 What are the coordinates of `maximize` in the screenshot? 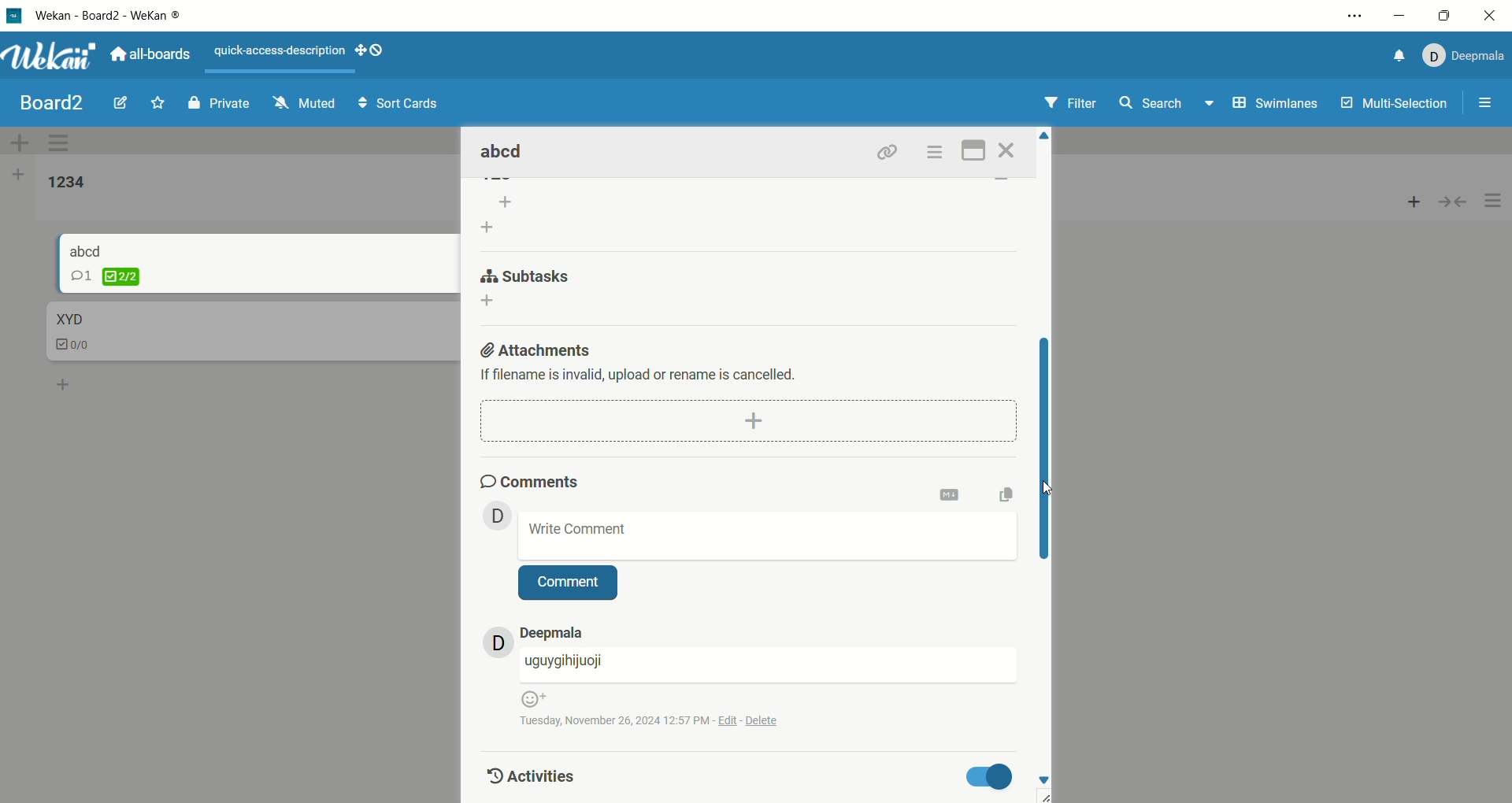 It's located at (975, 149).